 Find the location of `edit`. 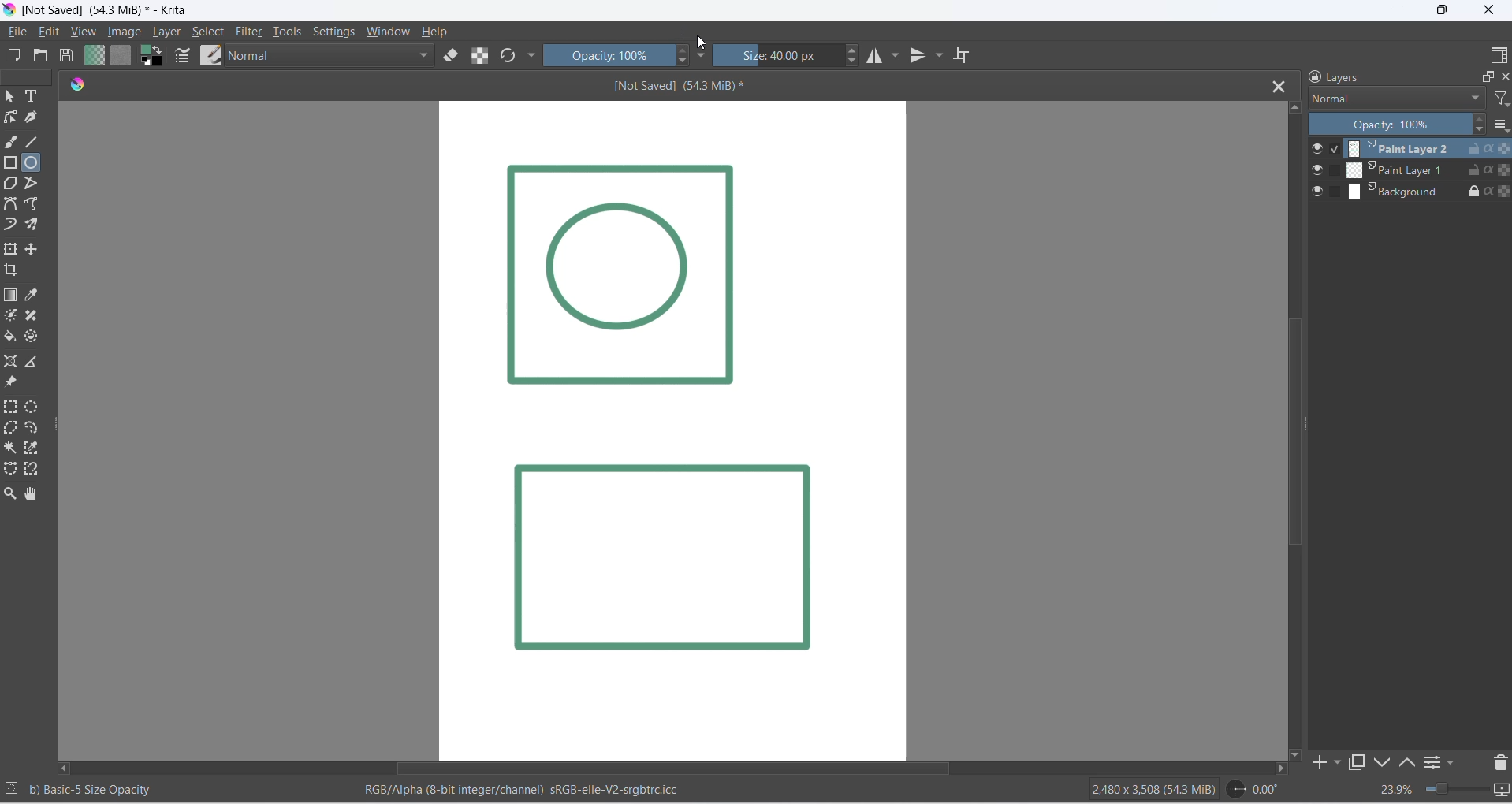

edit is located at coordinates (48, 32).